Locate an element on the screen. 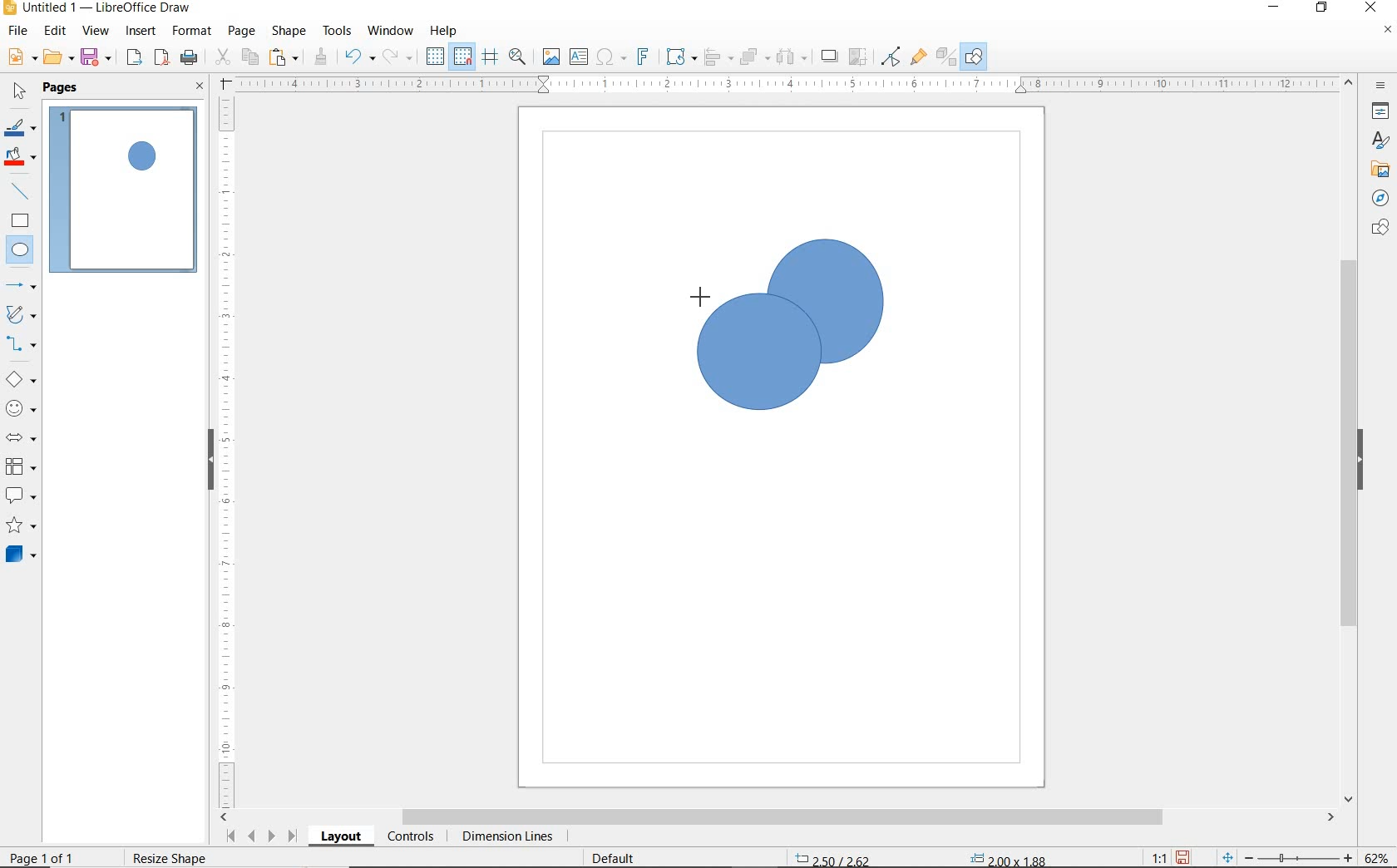 This screenshot has width=1397, height=868. CROP IMAGE is located at coordinates (857, 57).